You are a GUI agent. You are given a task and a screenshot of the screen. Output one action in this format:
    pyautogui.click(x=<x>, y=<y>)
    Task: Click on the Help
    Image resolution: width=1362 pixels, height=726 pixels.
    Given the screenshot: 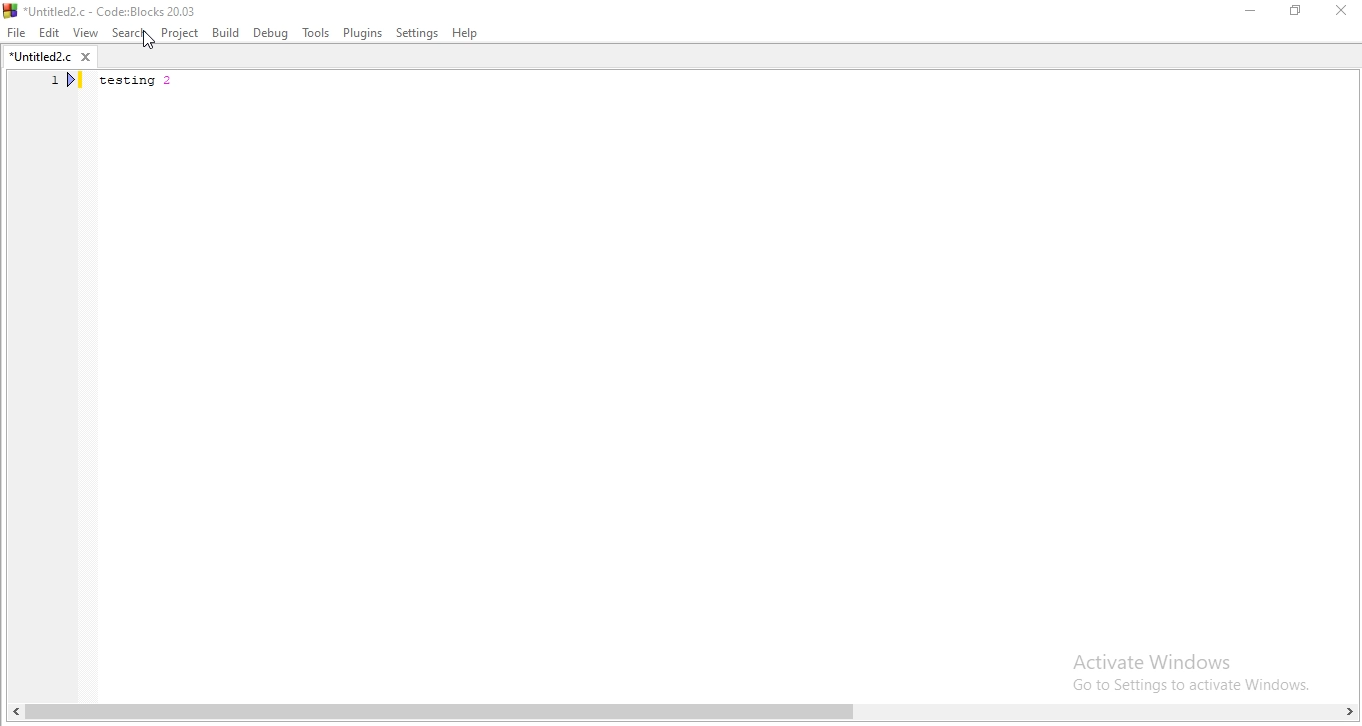 What is the action you would take?
    pyautogui.click(x=467, y=33)
    